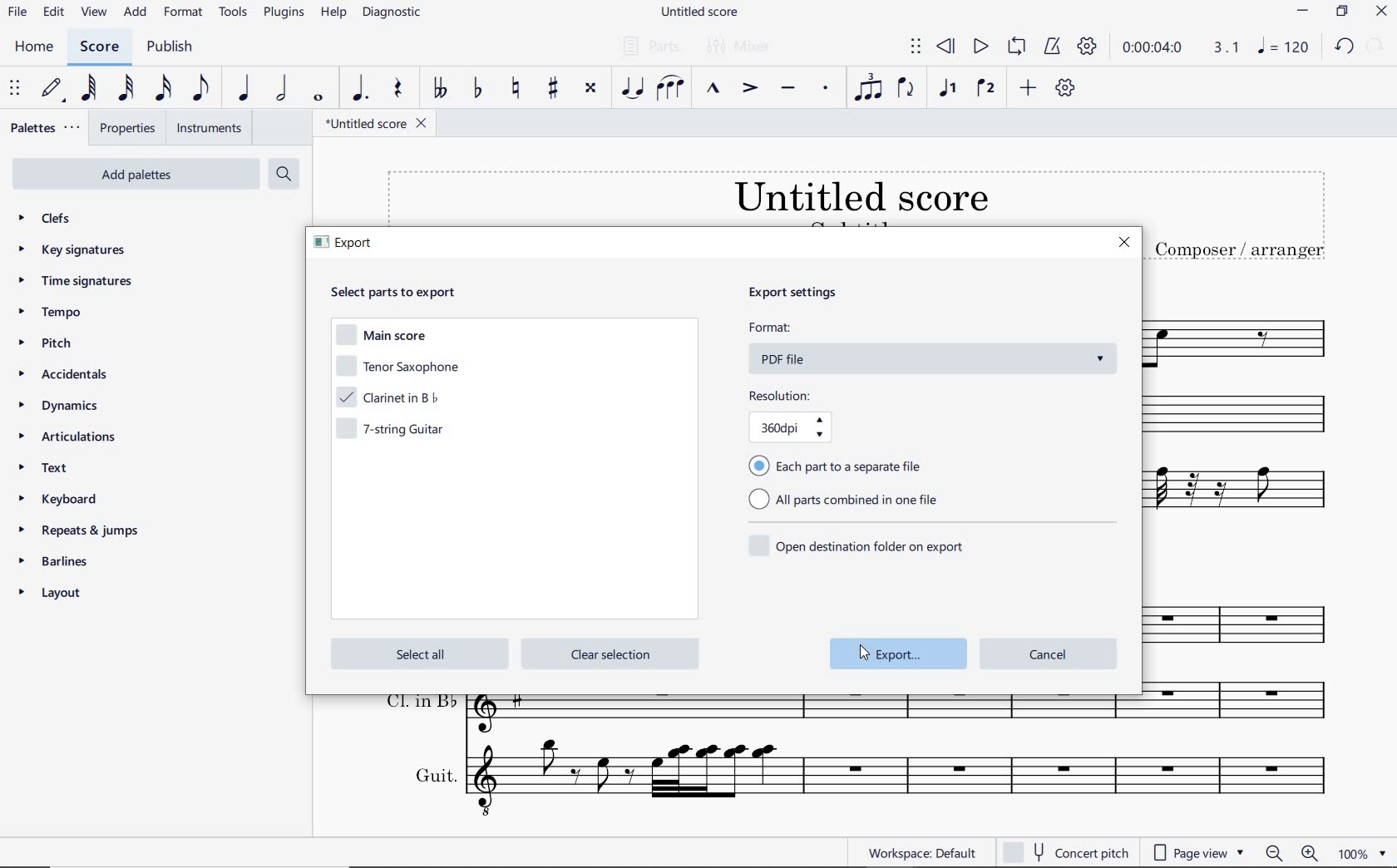 This screenshot has width=1397, height=868. What do you see at coordinates (1181, 48) in the screenshot?
I see `PLAY TIME` at bounding box center [1181, 48].